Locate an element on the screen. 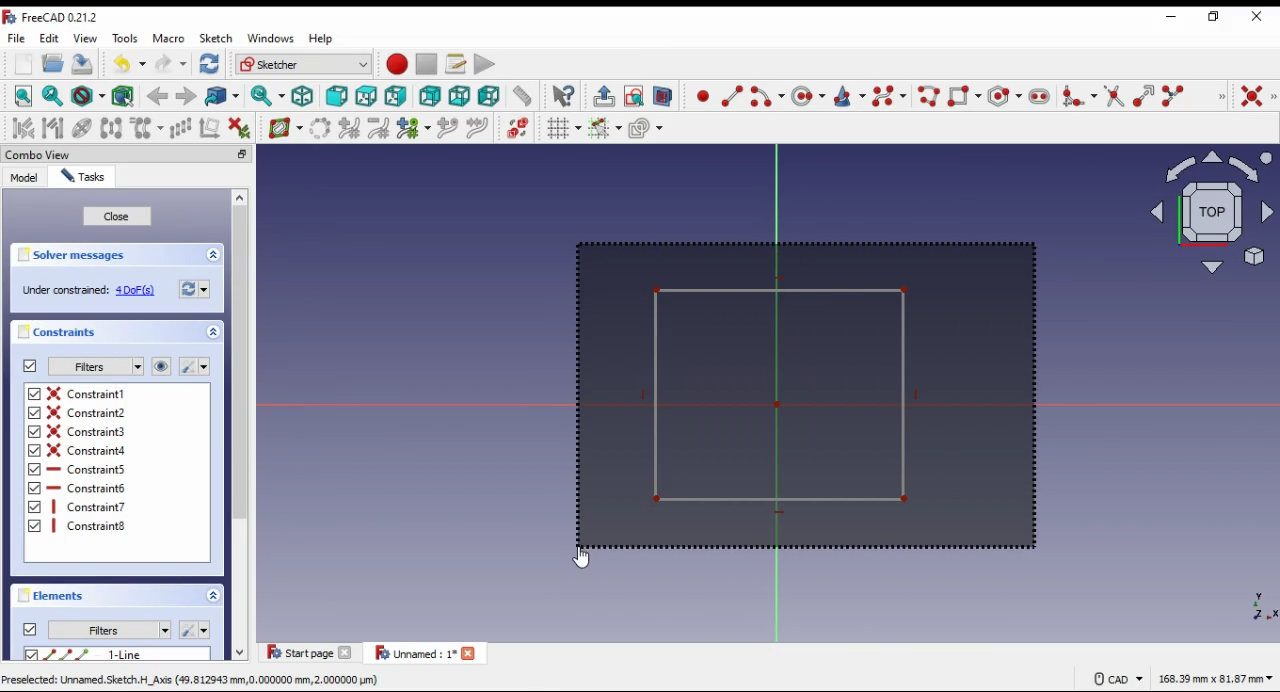  sketcher geometries is located at coordinates (1221, 95).